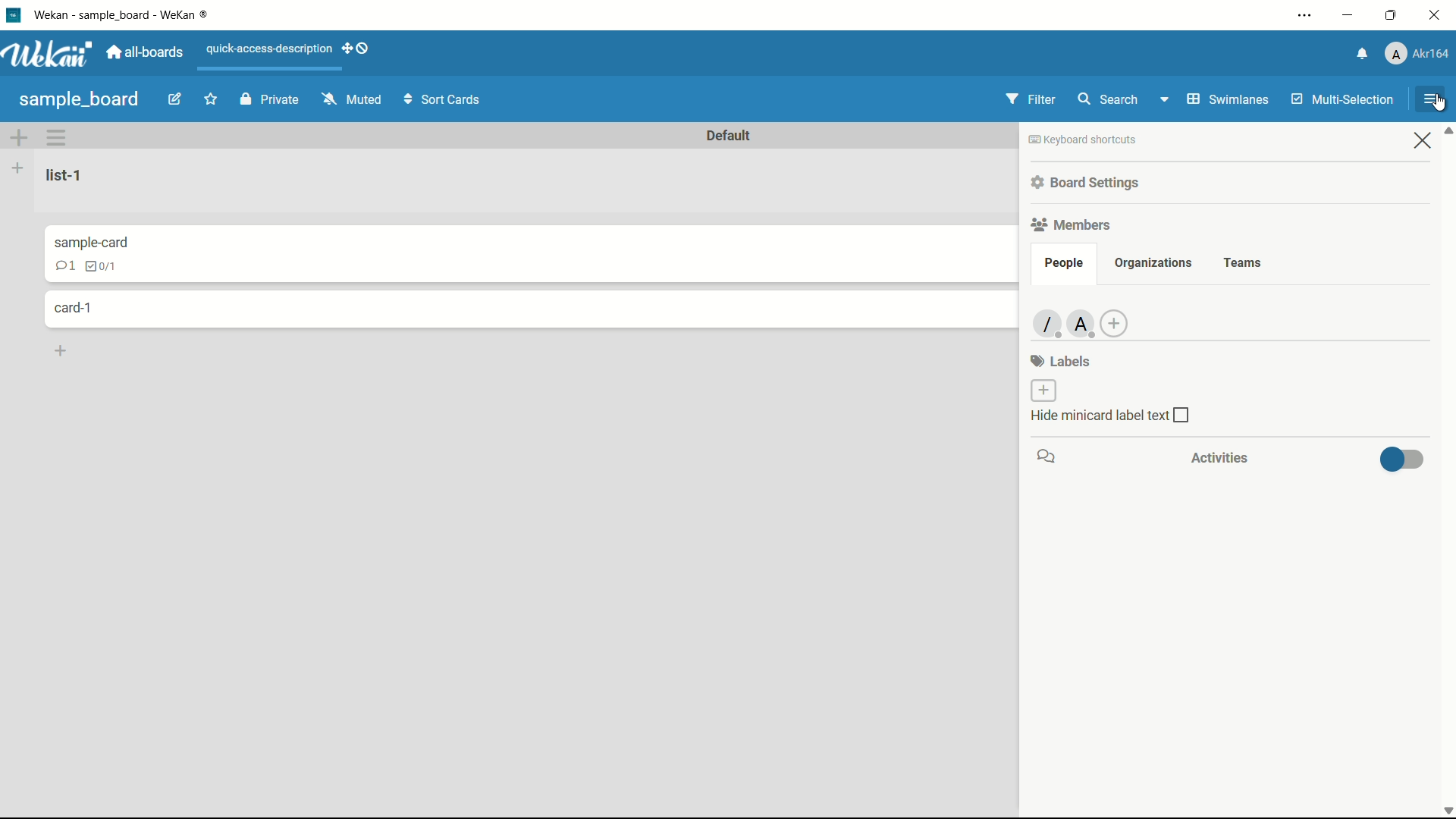  I want to click on search, so click(1109, 100).